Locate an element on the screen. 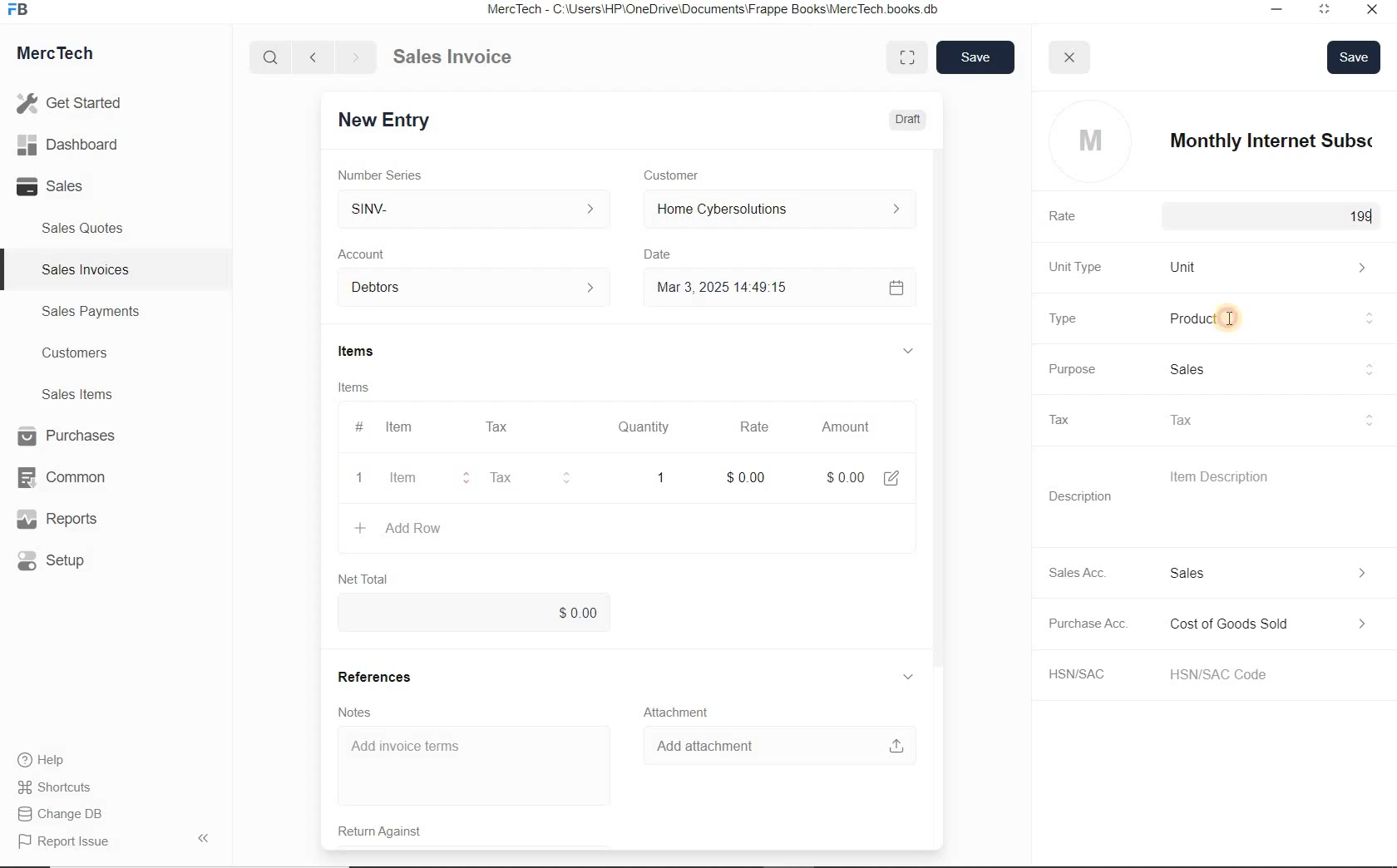 Image resolution: width=1397 pixels, height=868 pixels. Reports is located at coordinates (70, 520).